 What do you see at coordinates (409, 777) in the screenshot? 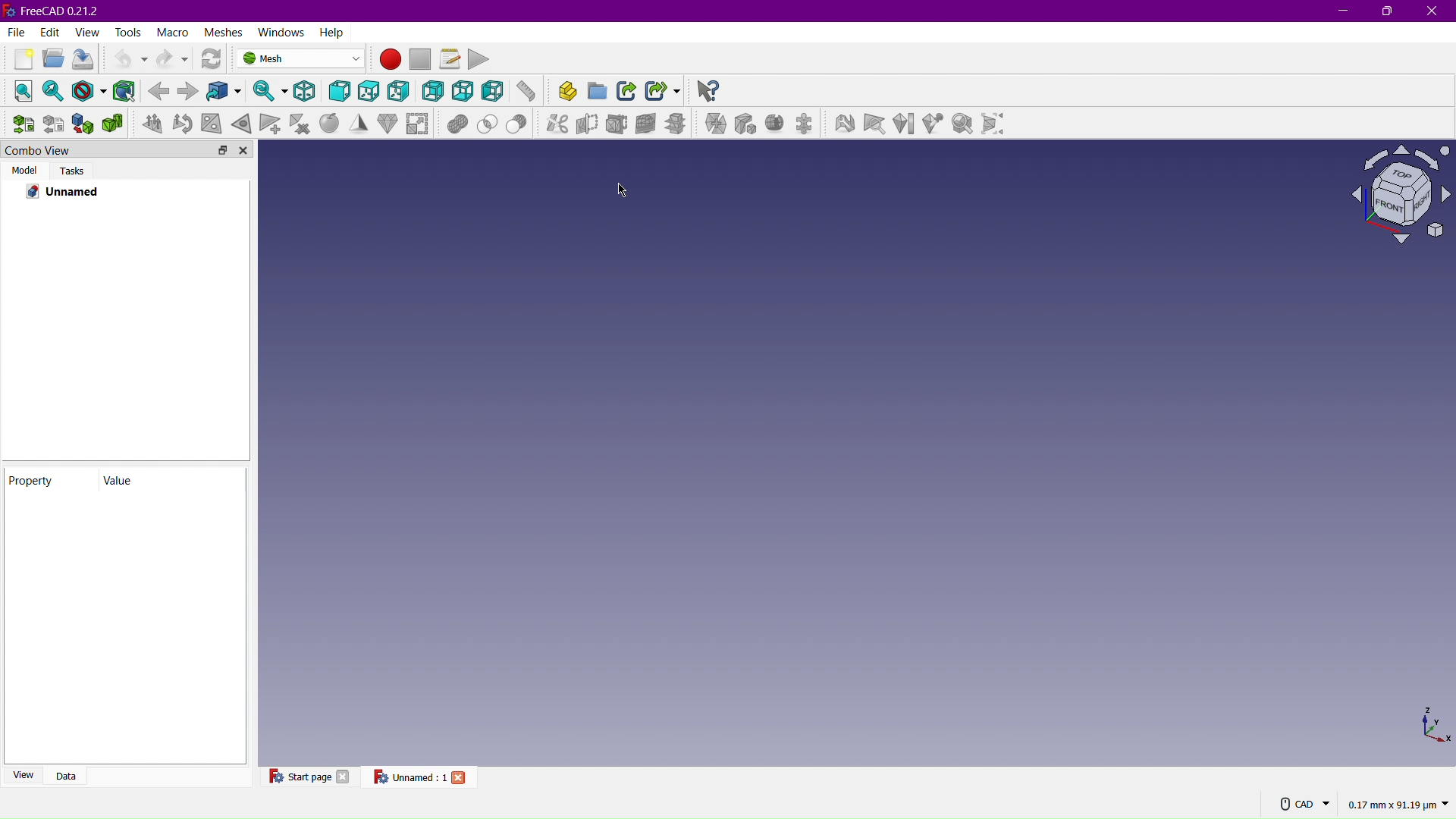
I see `unnamed : 1` at bounding box center [409, 777].